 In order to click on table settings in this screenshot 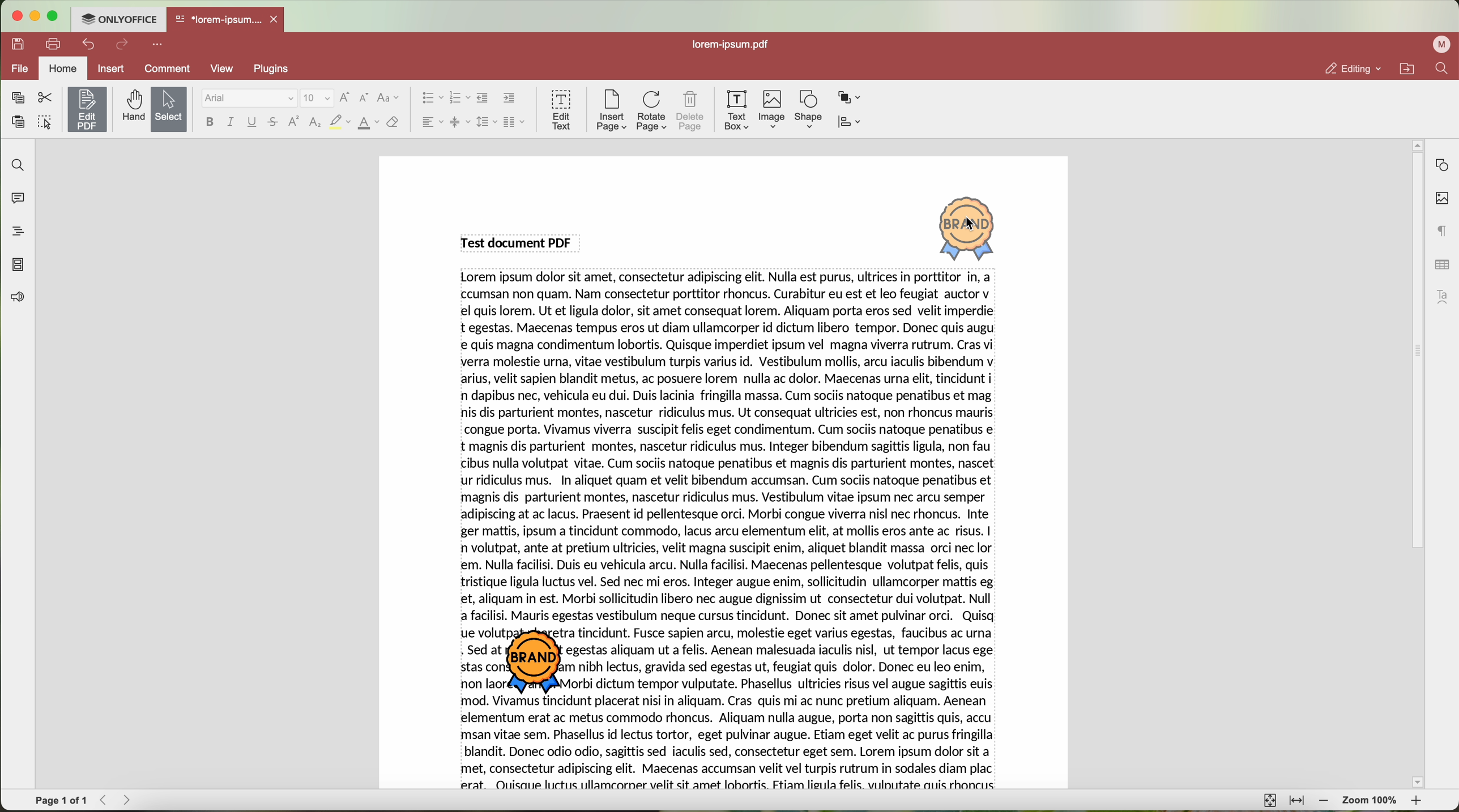, I will do `click(1442, 264)`.